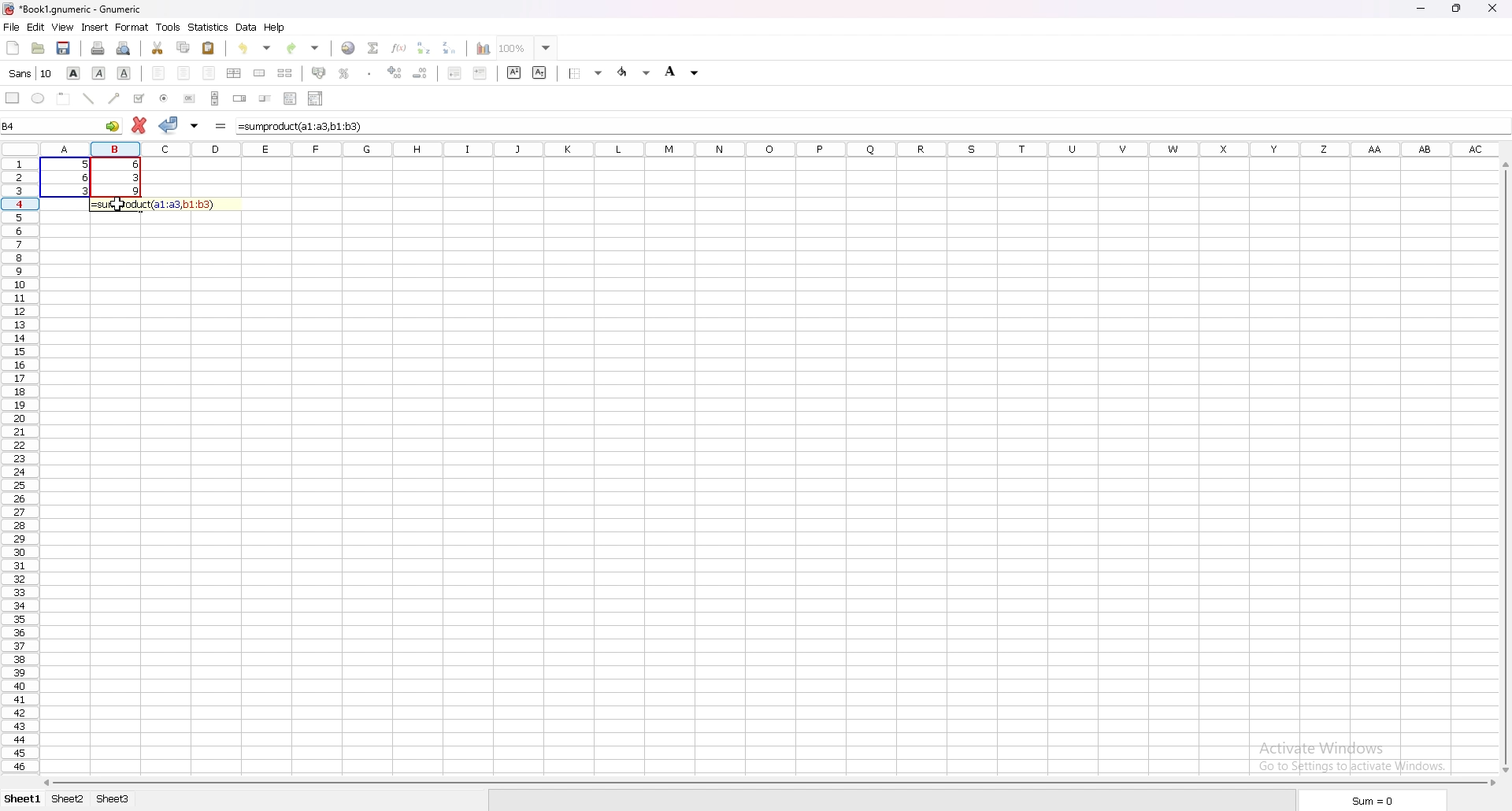 This screenshot has width=1512, height=811. Describe the element at coordinates (157, 74) in the screenshot. I see `align left` at that location.